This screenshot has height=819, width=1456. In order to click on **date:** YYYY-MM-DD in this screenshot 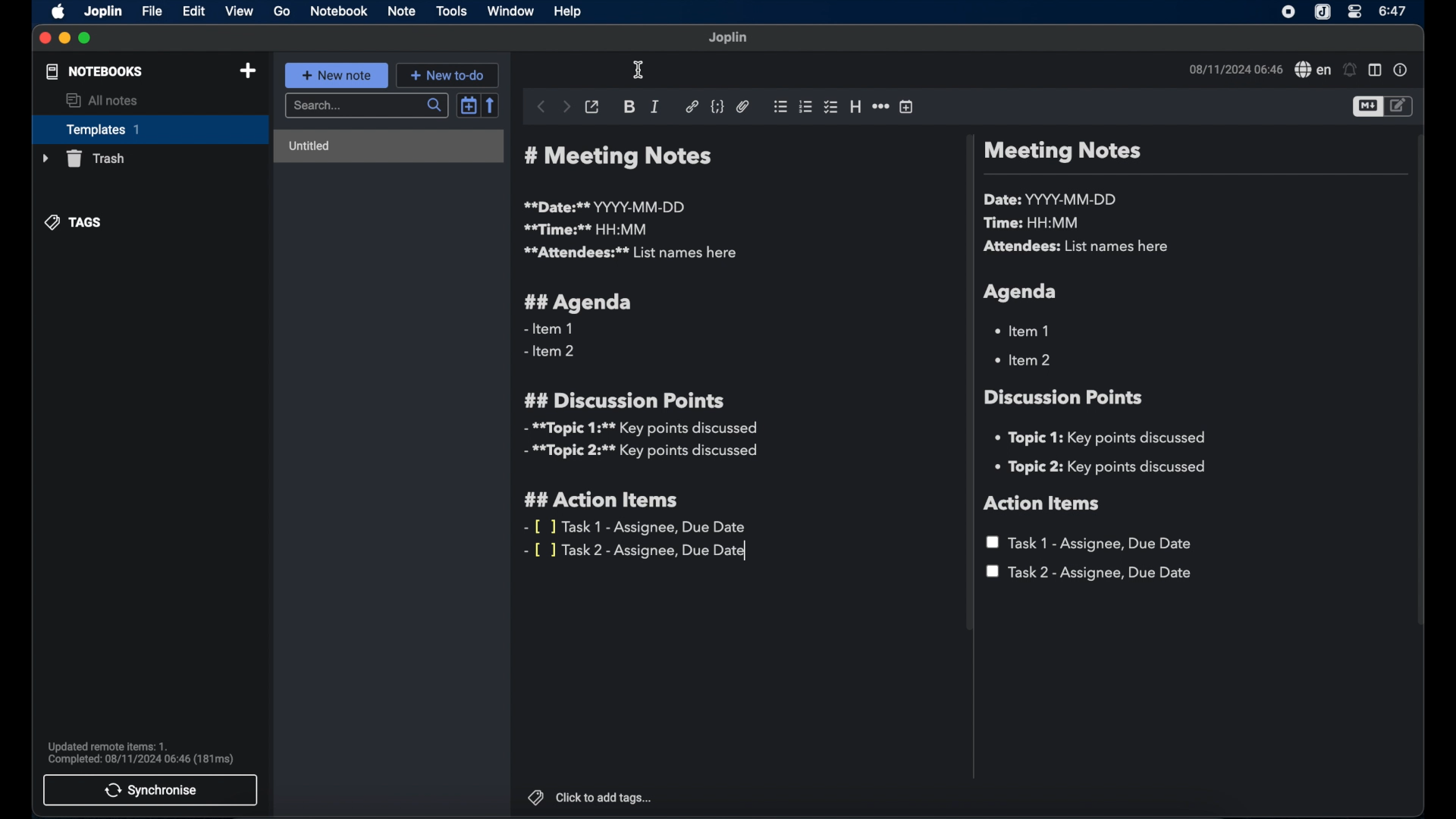, I will do `click(607, 206)`.